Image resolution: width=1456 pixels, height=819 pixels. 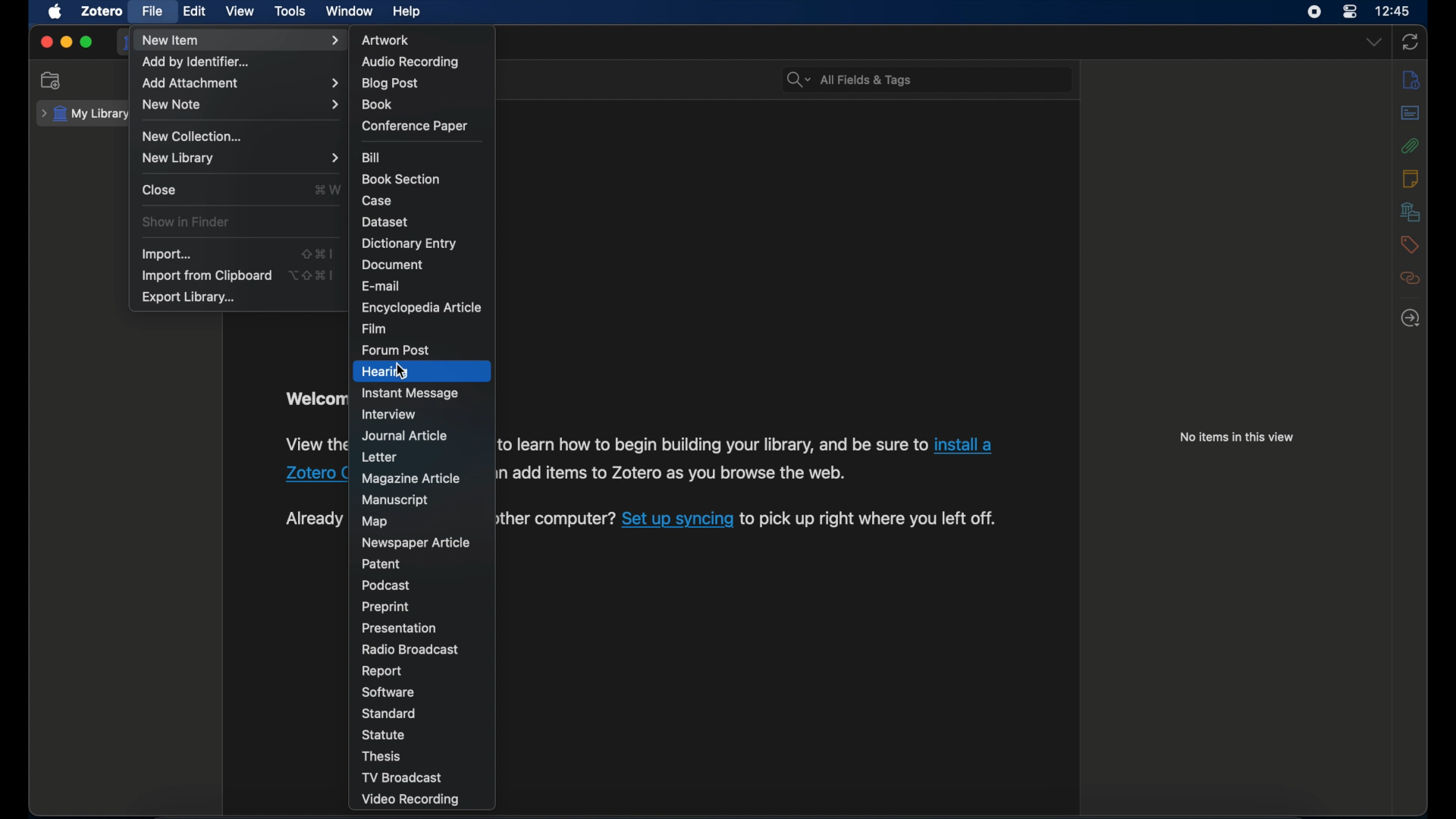 What do you see at coordinates (381, 287) in the screenshot?
I see `e-mail` at bounding box center [381, 287].